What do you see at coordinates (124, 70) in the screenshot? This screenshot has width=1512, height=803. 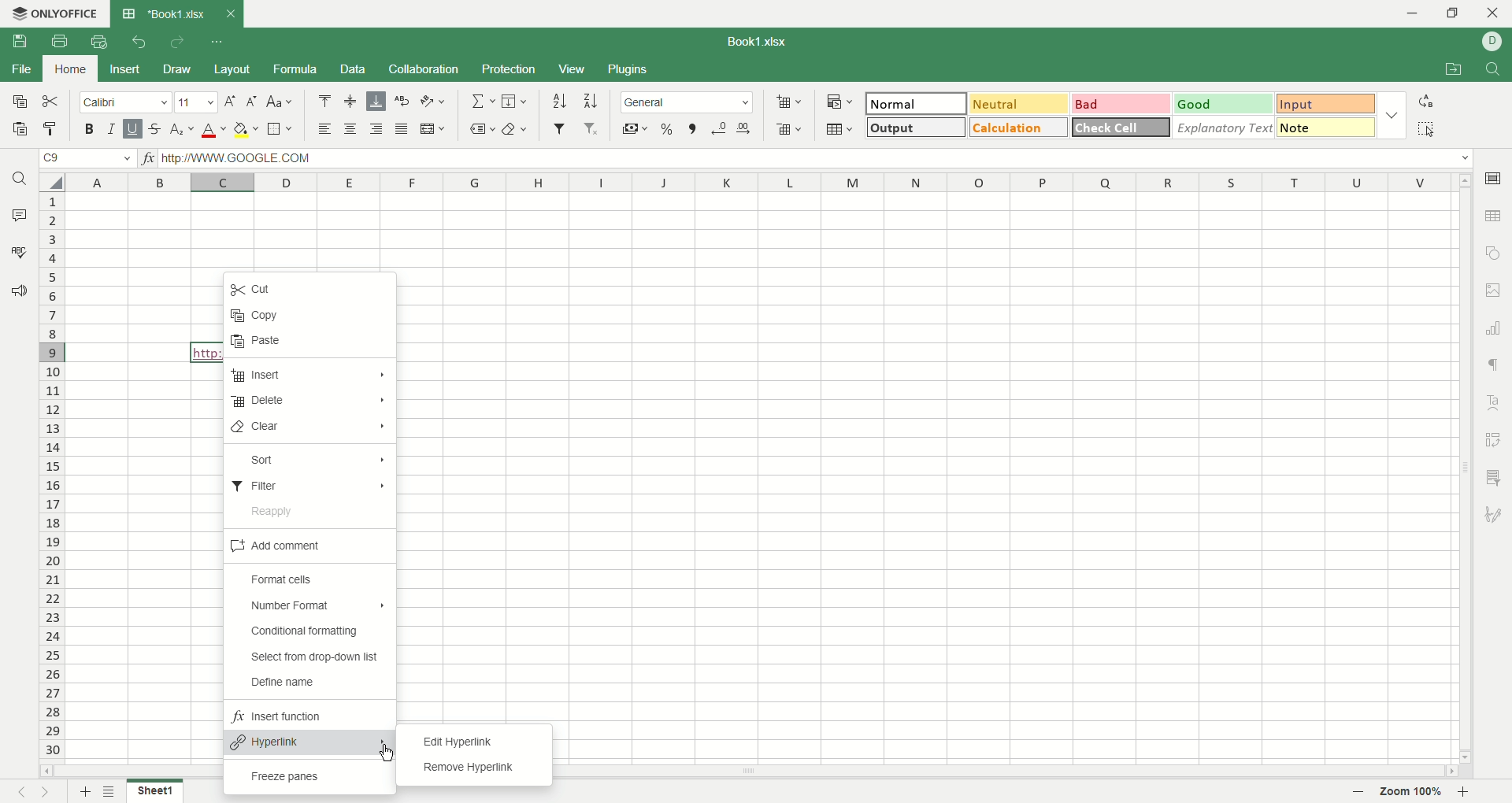 I see `insert` at bounding box center [124, 70].